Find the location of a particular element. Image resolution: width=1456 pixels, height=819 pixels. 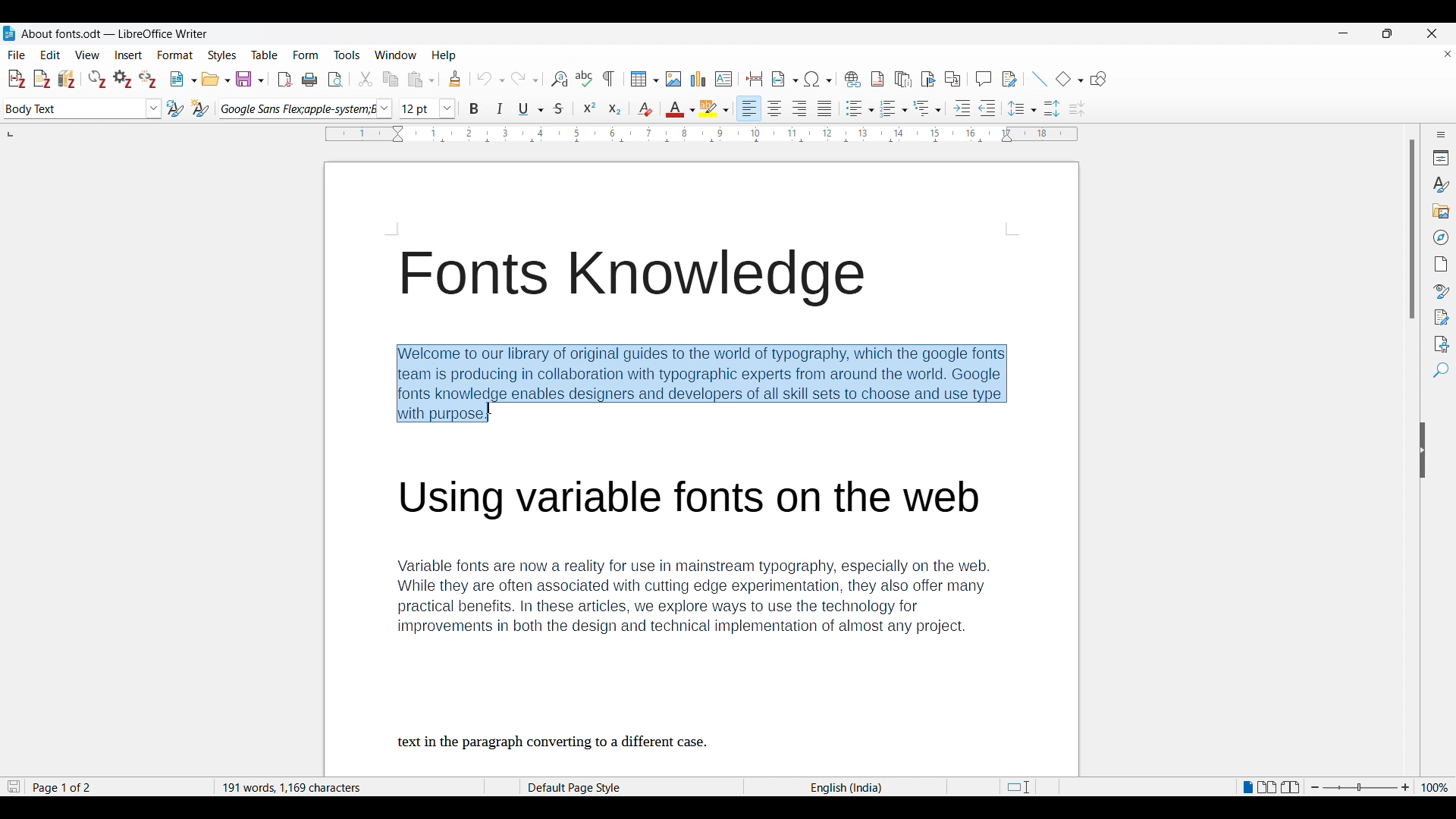

Set document preferences is located at coordinates (123, 79).